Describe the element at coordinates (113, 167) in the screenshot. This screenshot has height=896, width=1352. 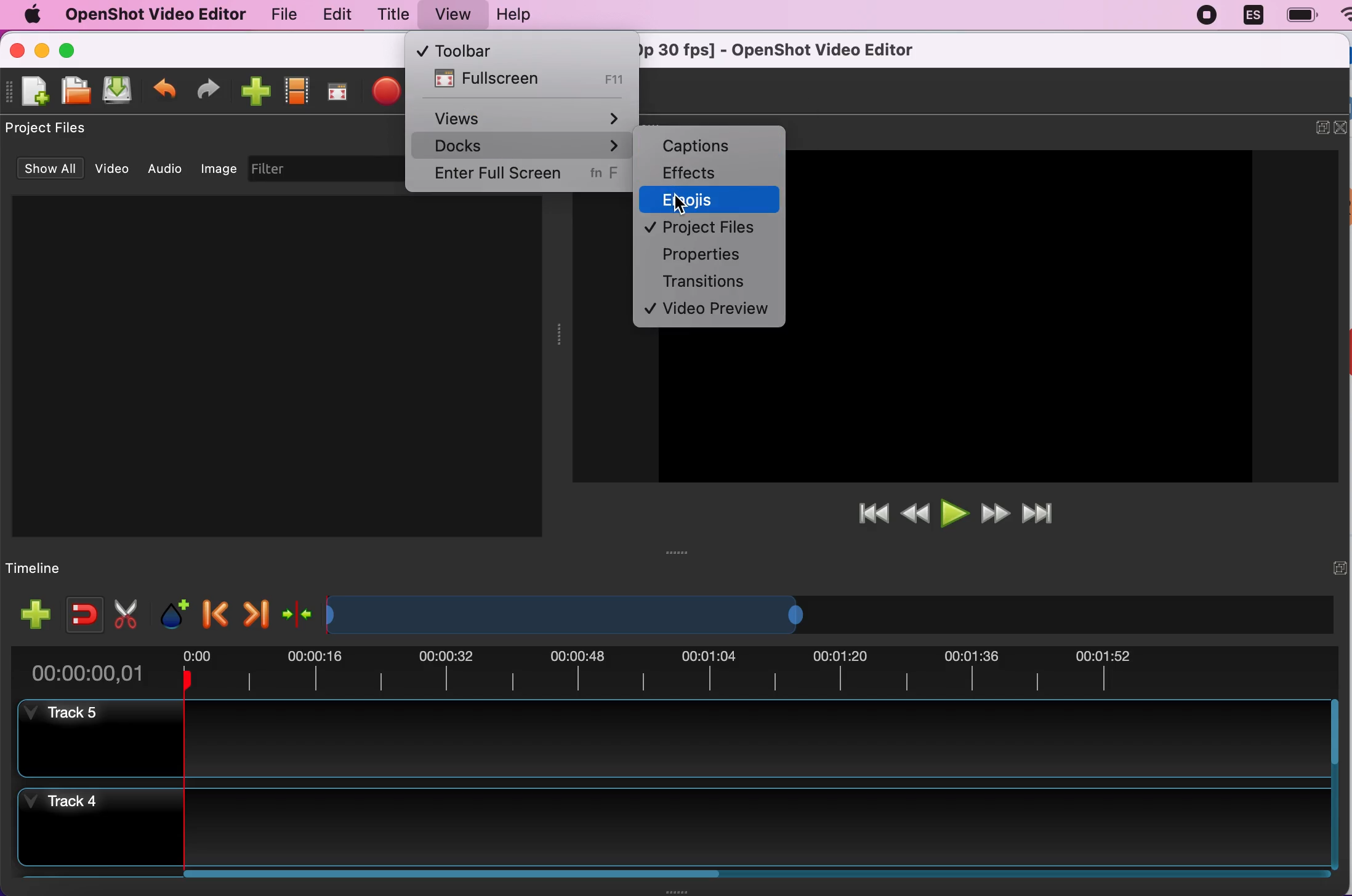
I see `video` at that location.